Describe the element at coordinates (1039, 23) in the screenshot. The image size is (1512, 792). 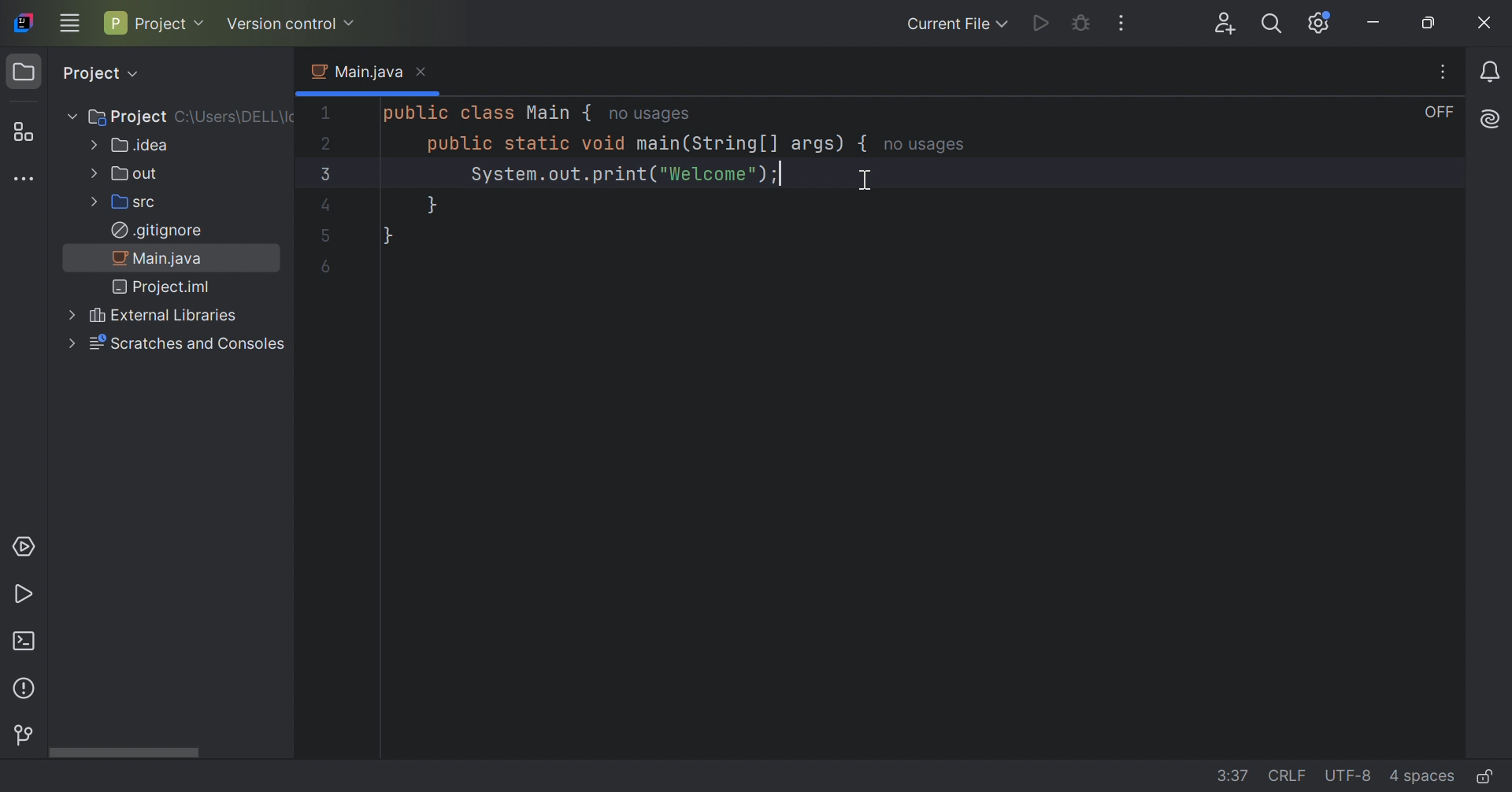
I see `Run` at that location.